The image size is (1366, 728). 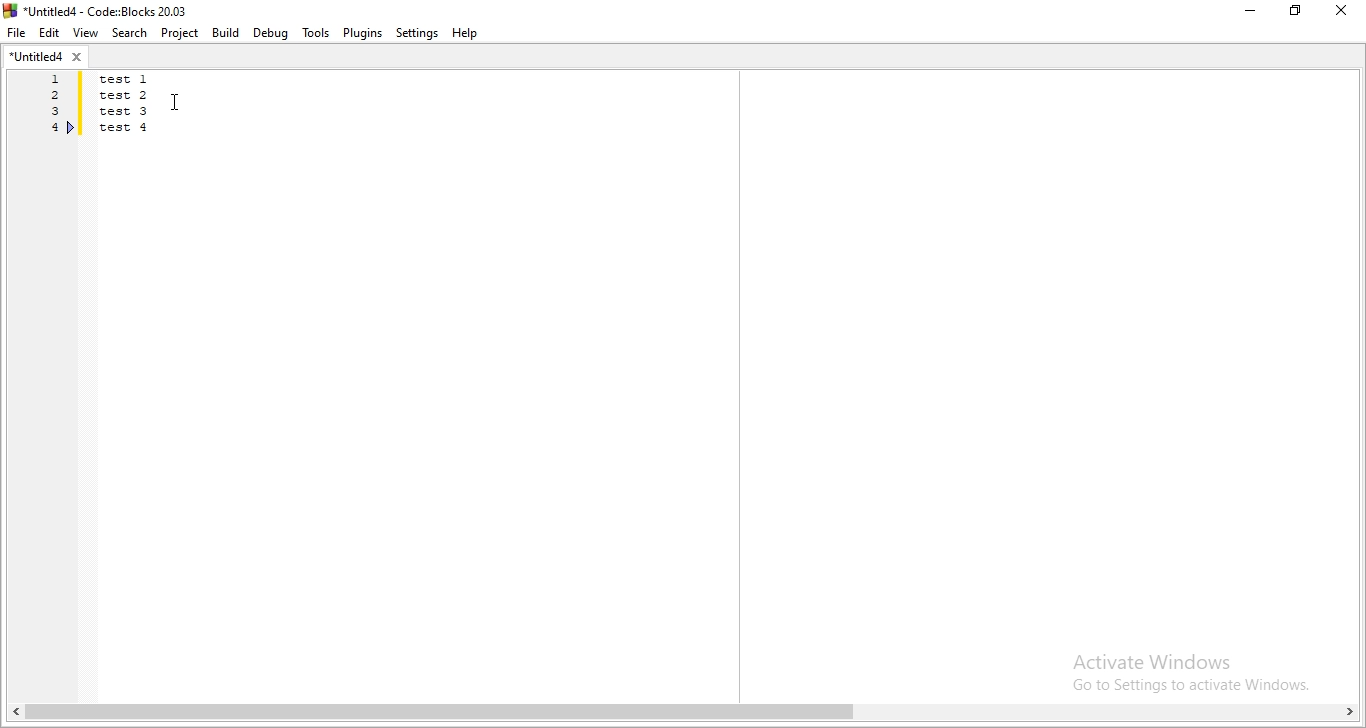 I want to click on Build , so click(x=224, y=32).